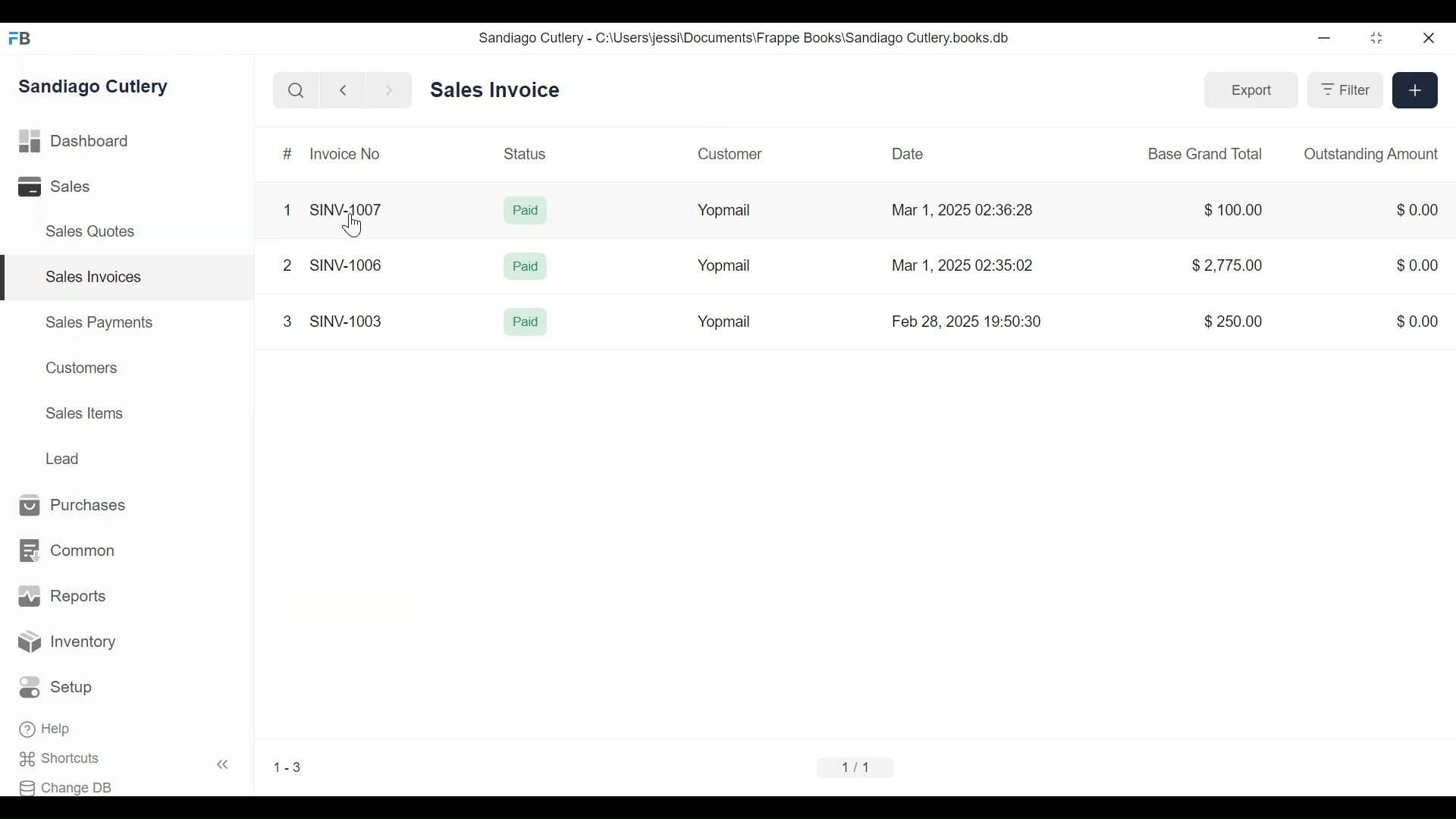  I want to click on Mar 1, 2025 02:36:28, so click(962, 209).